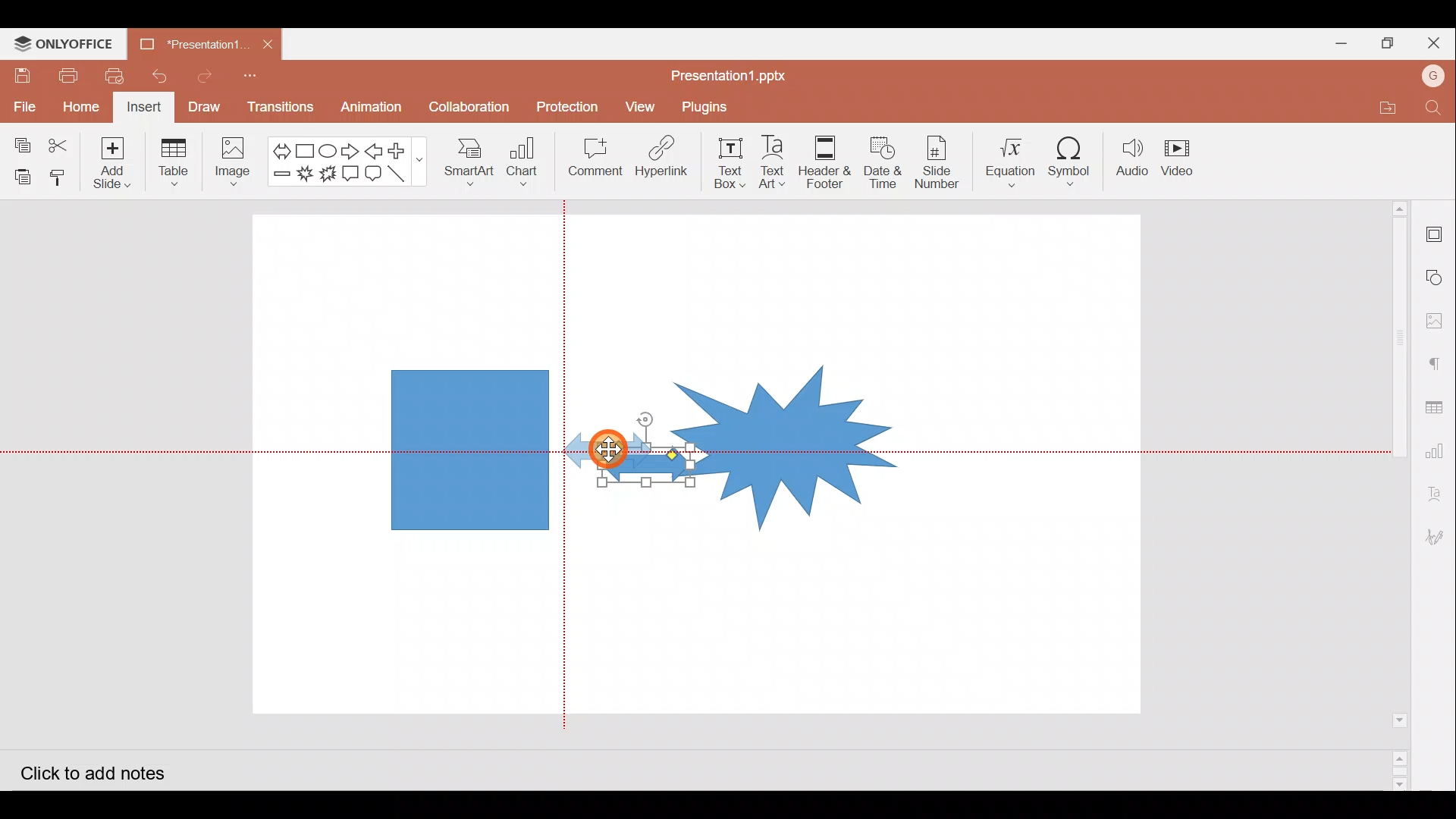 This screenshot has height=819, width=1456. What do you see at coordinates (526, 166) in the screenshot?
I see `Chart` at bounding box center [526, 166].